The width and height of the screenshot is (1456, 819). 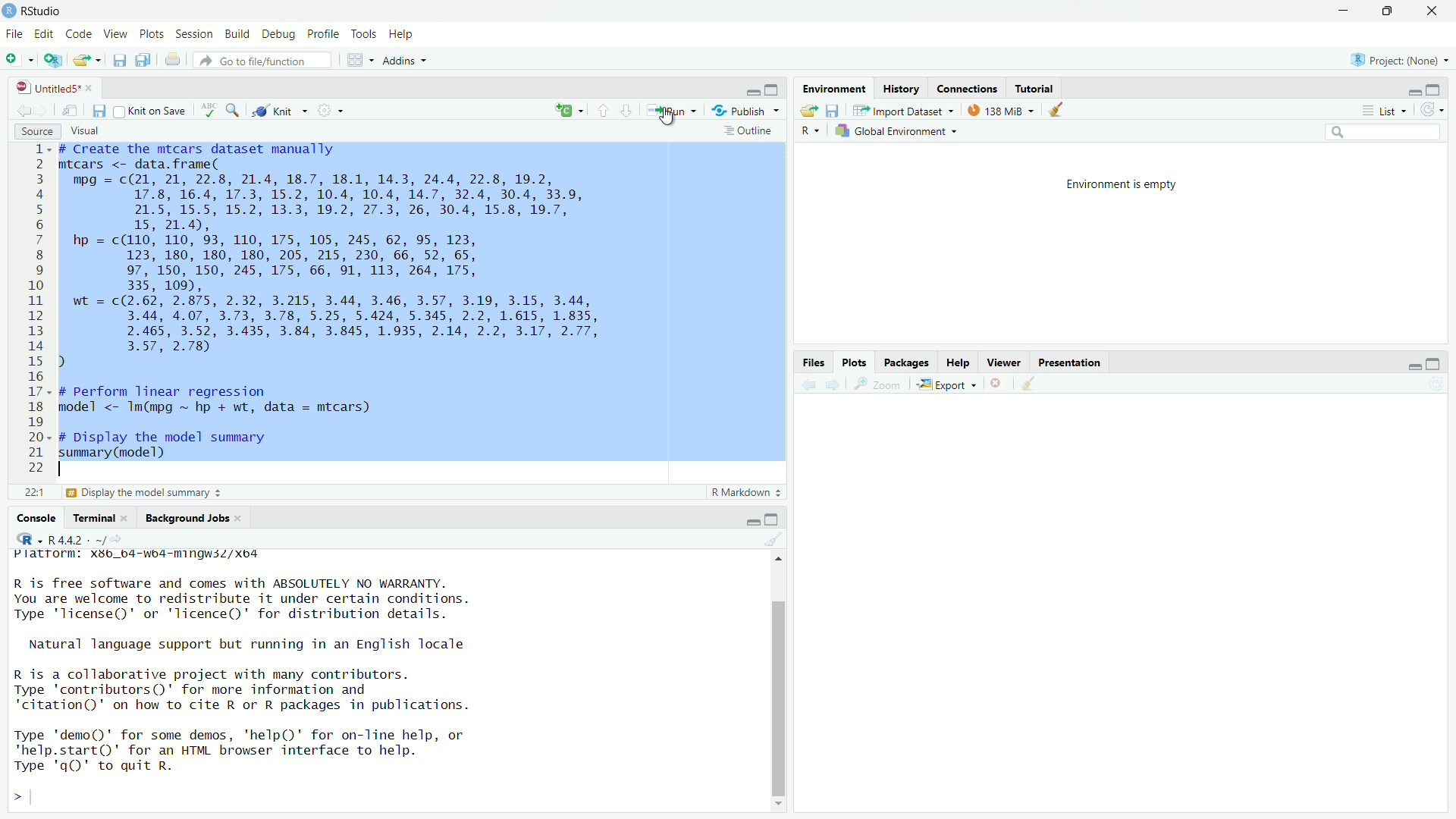 What do you see at coordinates (1034, 90) in the screenshot?
I see `Tutorial` at bounding box center [1034, 90].